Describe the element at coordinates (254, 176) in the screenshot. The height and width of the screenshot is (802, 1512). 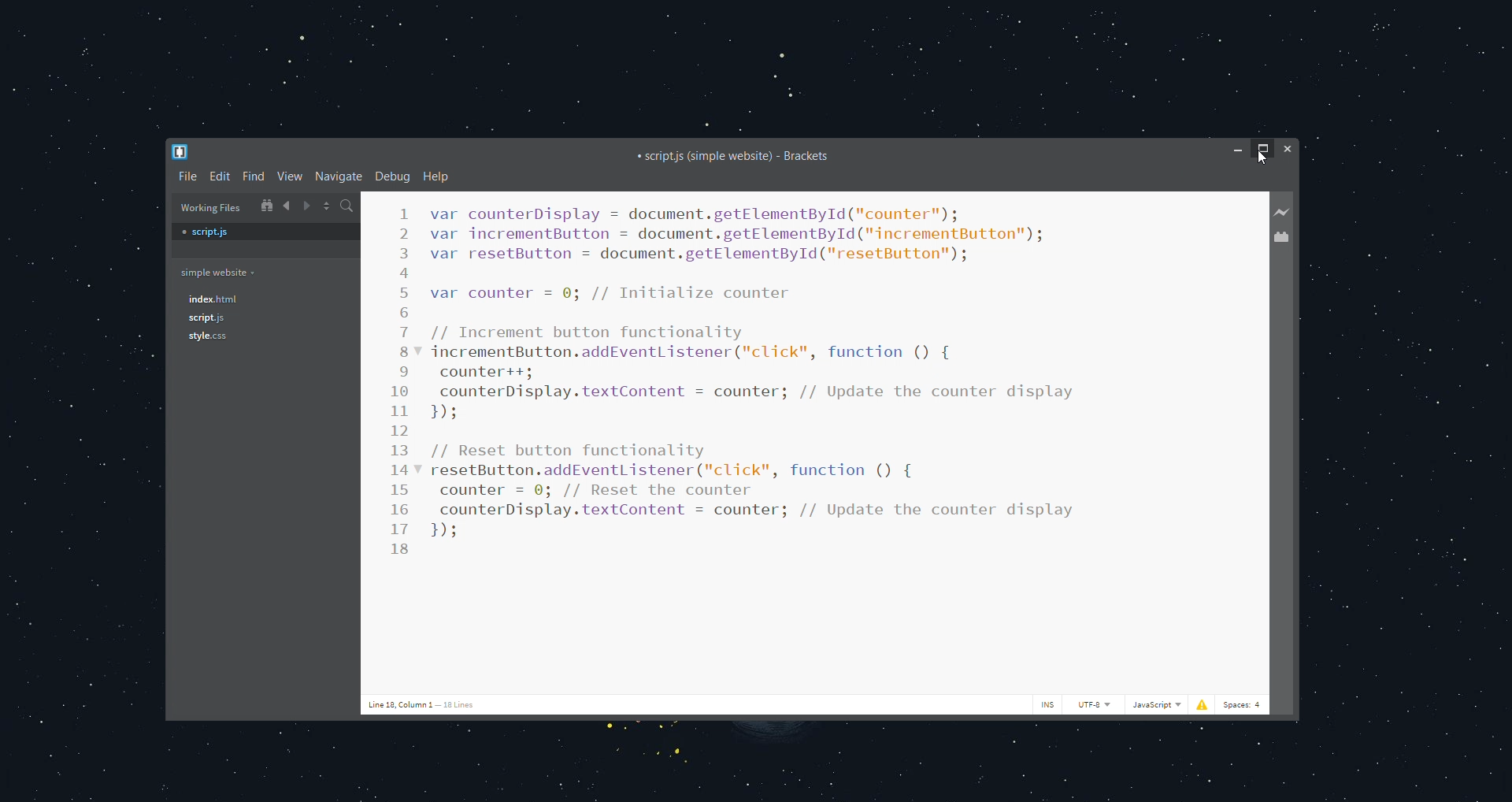
I see `find` at that location.